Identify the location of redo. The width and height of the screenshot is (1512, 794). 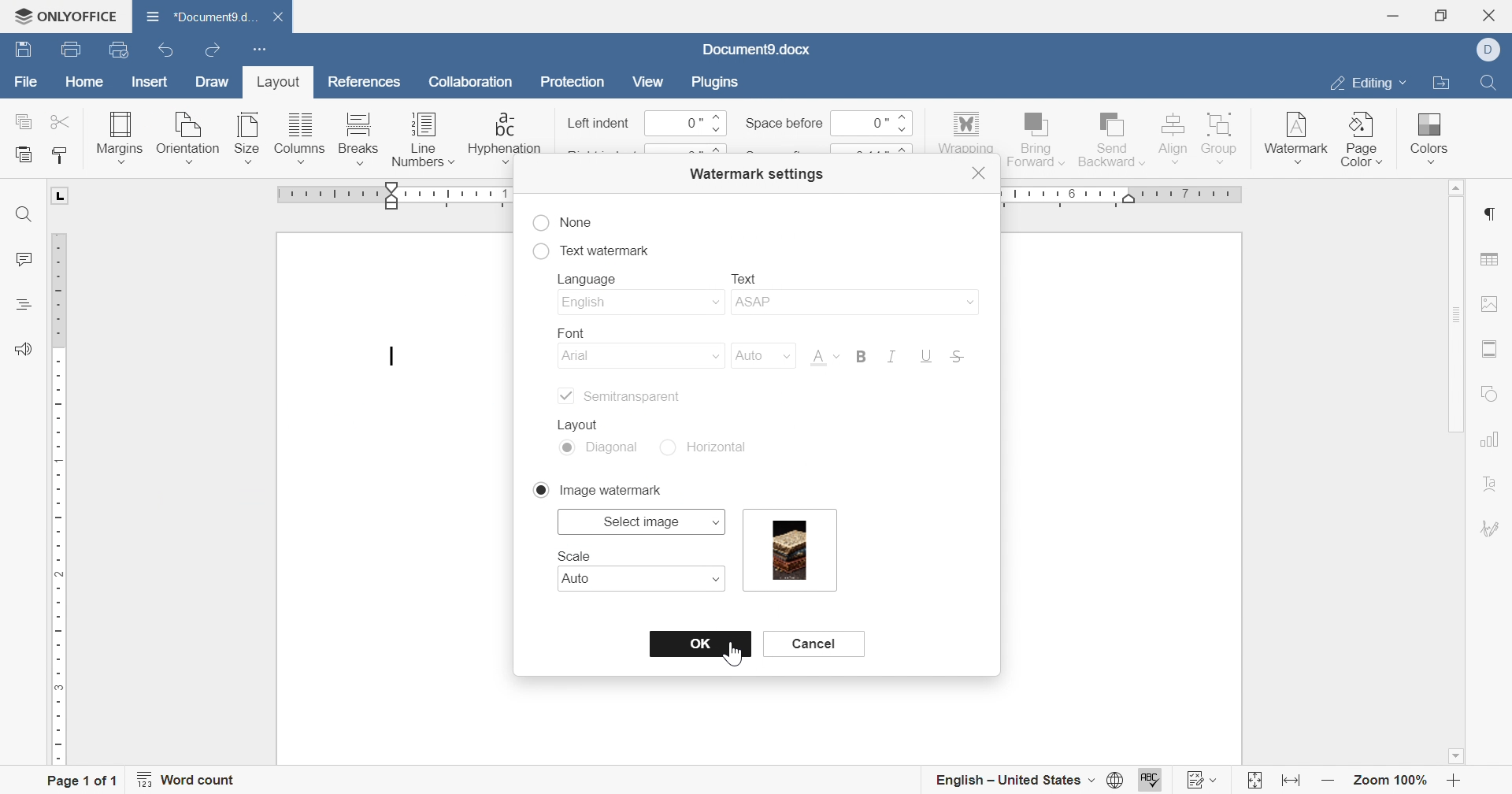
(215, 52).